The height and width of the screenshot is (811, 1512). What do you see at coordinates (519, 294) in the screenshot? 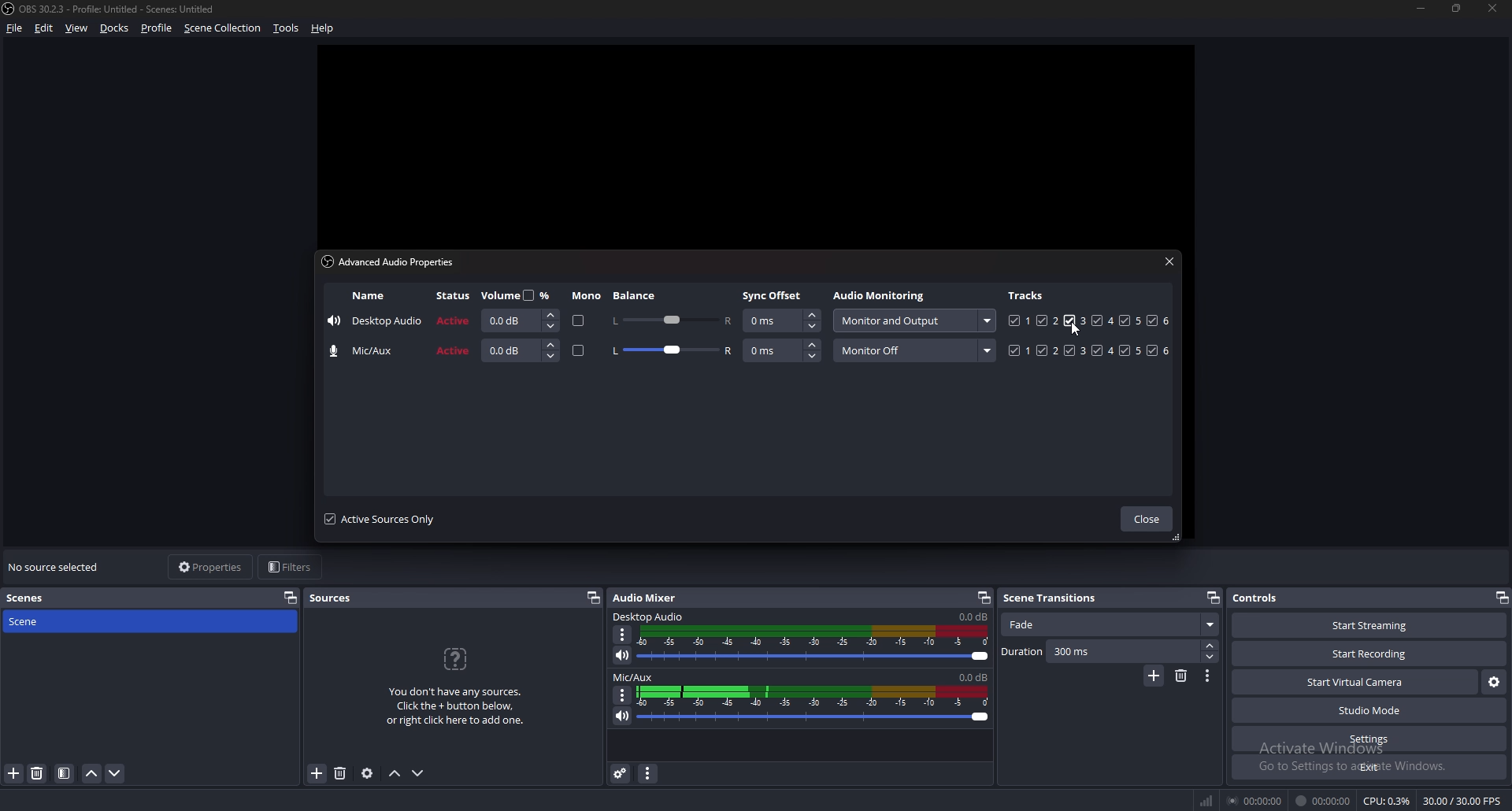
I see `volume` at bounding box center [519, 294].